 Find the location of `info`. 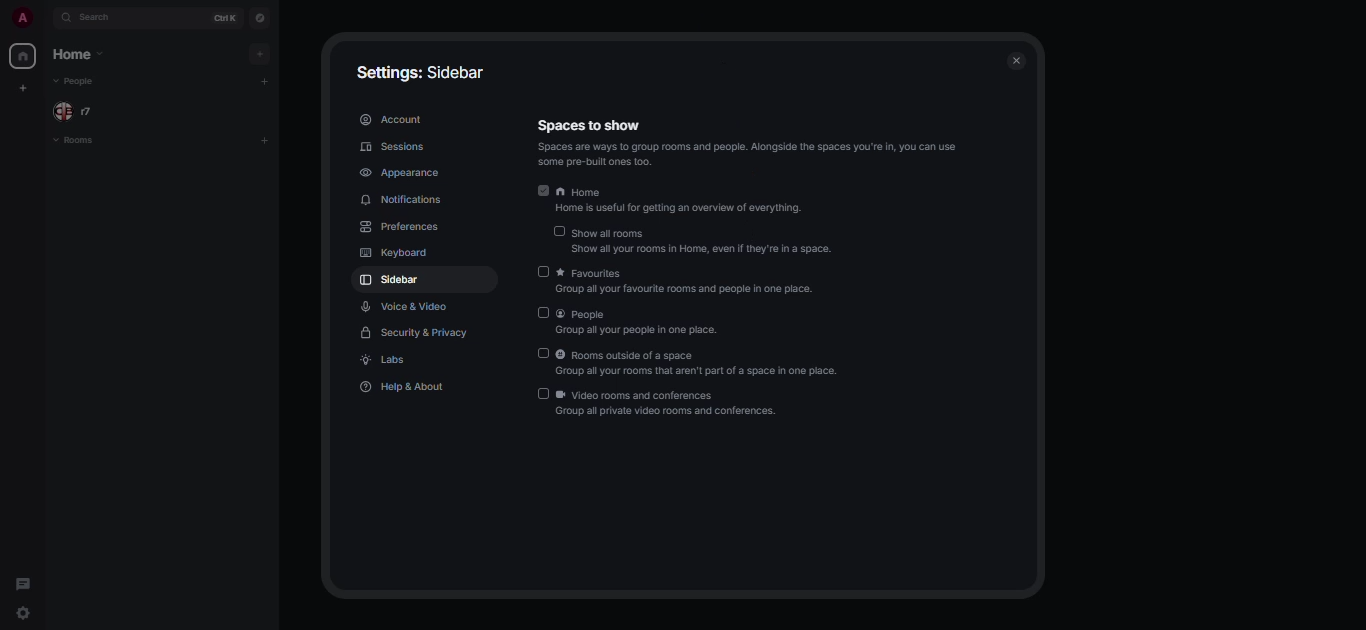

info is located at coordinates (758, 153).